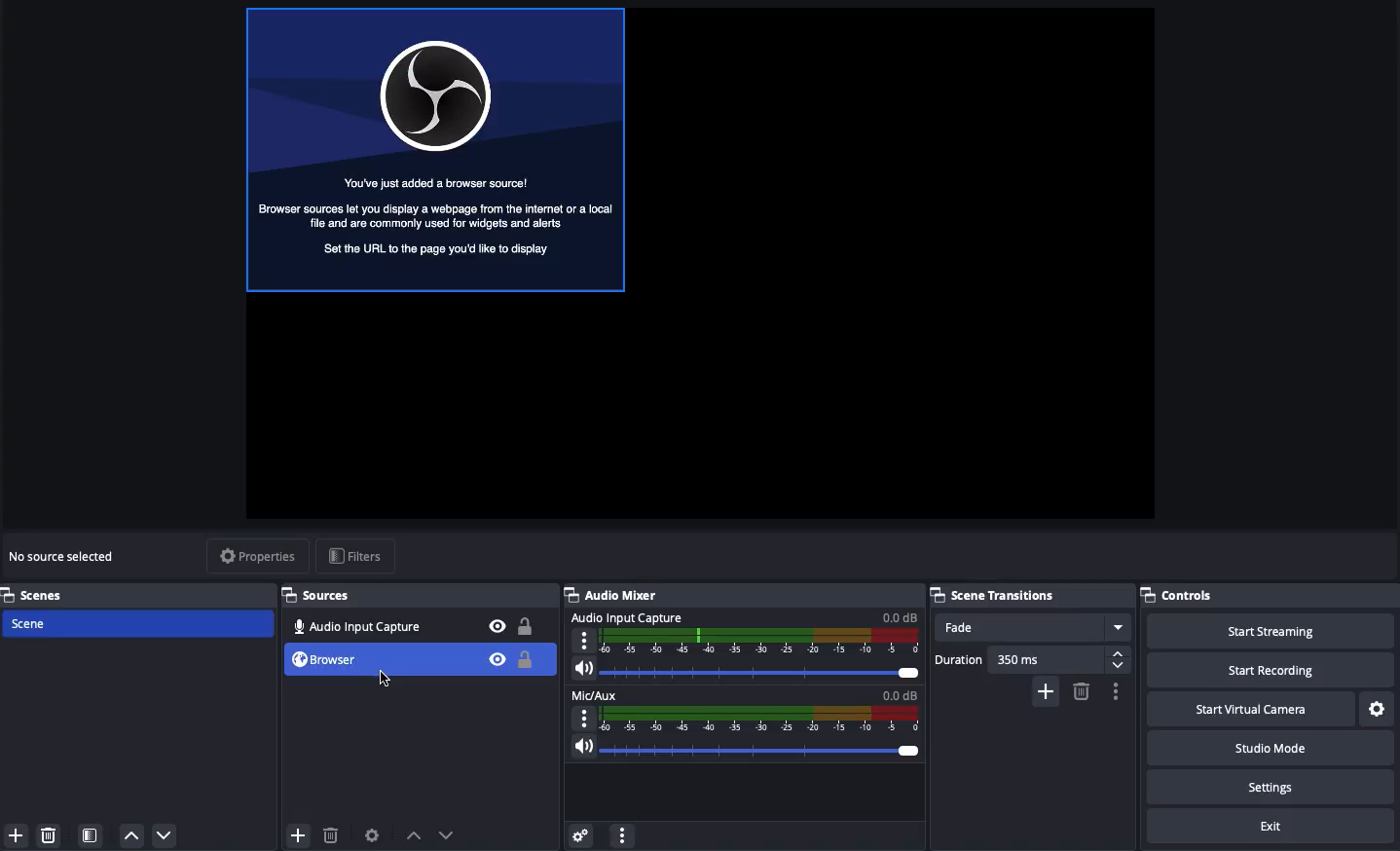 This screenshot has height=851, width=1400. What do you see at coordinates (413, 837) in the screenshot?
I see `Move up` at bounding box center [413, 837].